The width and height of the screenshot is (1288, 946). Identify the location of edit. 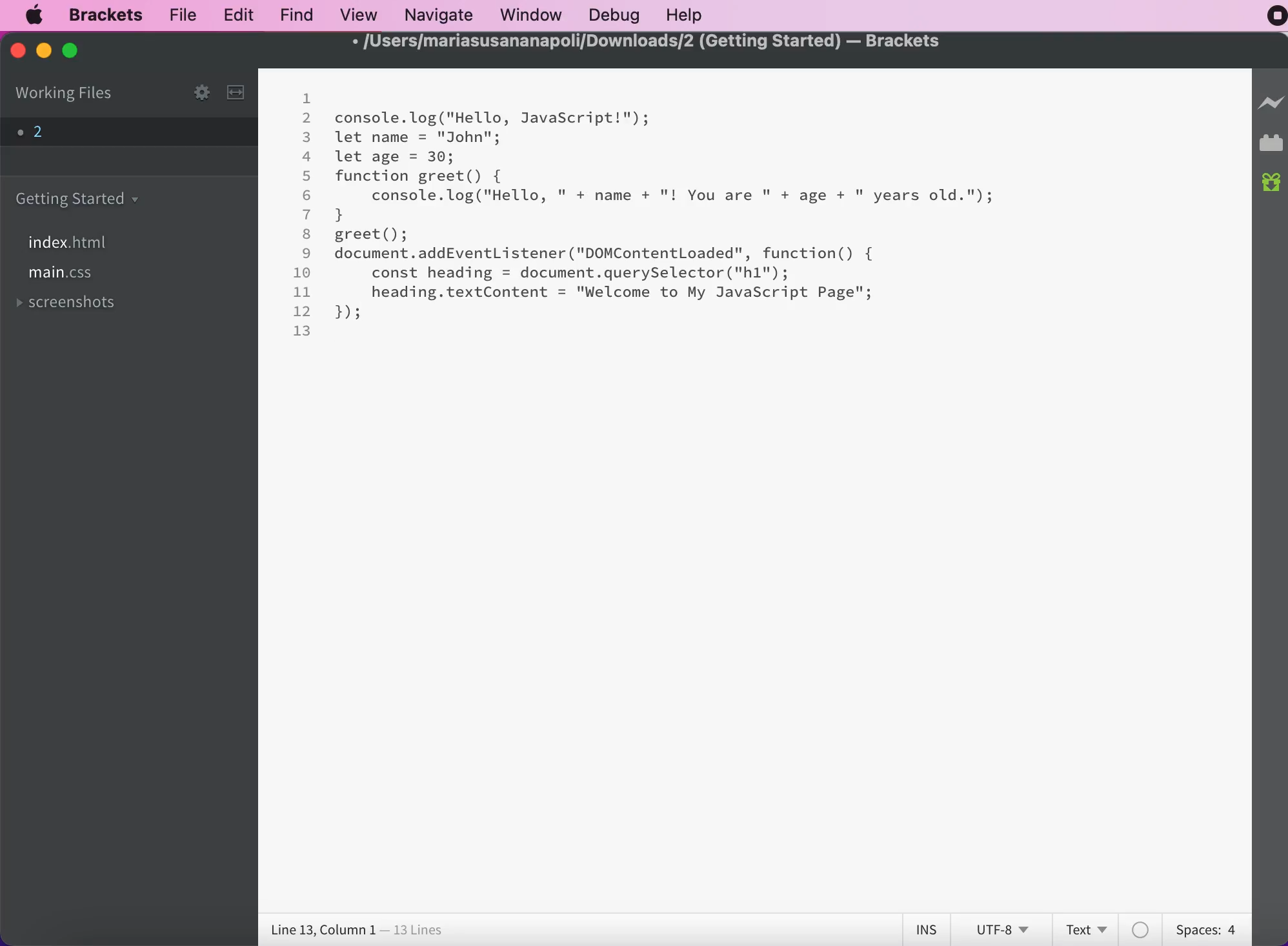
(237, 15).